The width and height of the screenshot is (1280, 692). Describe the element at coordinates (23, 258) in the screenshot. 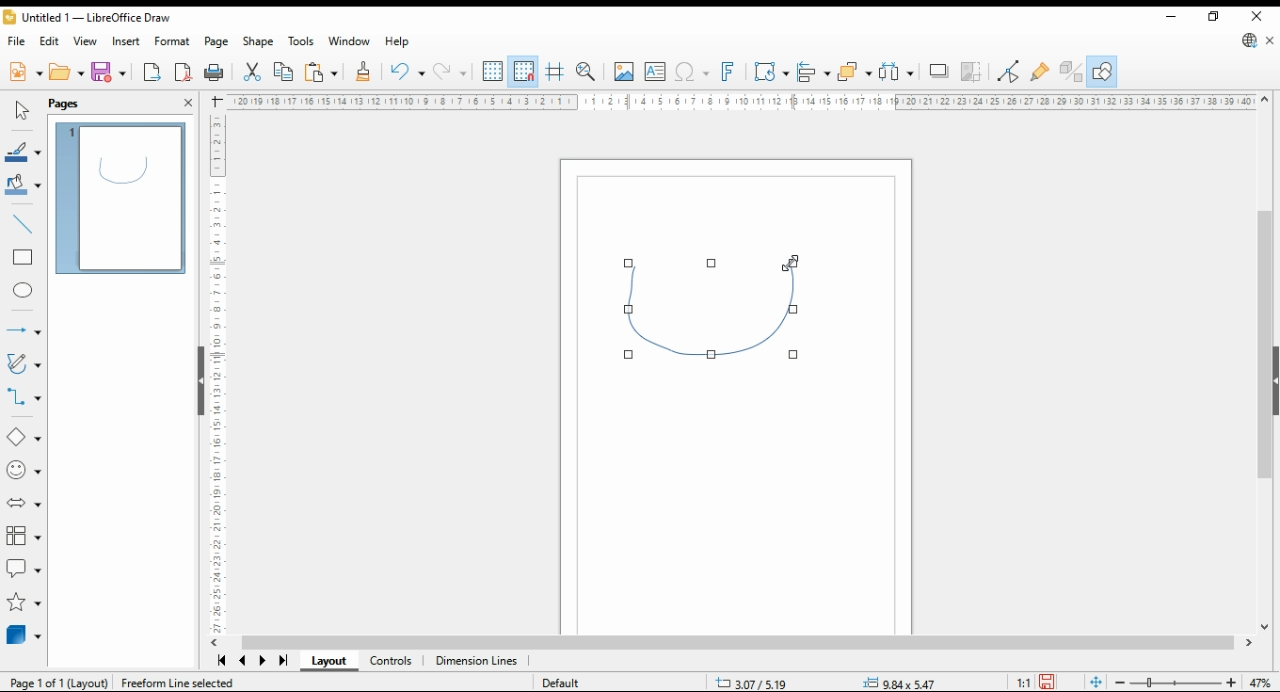

I see `rectangle` at that location.